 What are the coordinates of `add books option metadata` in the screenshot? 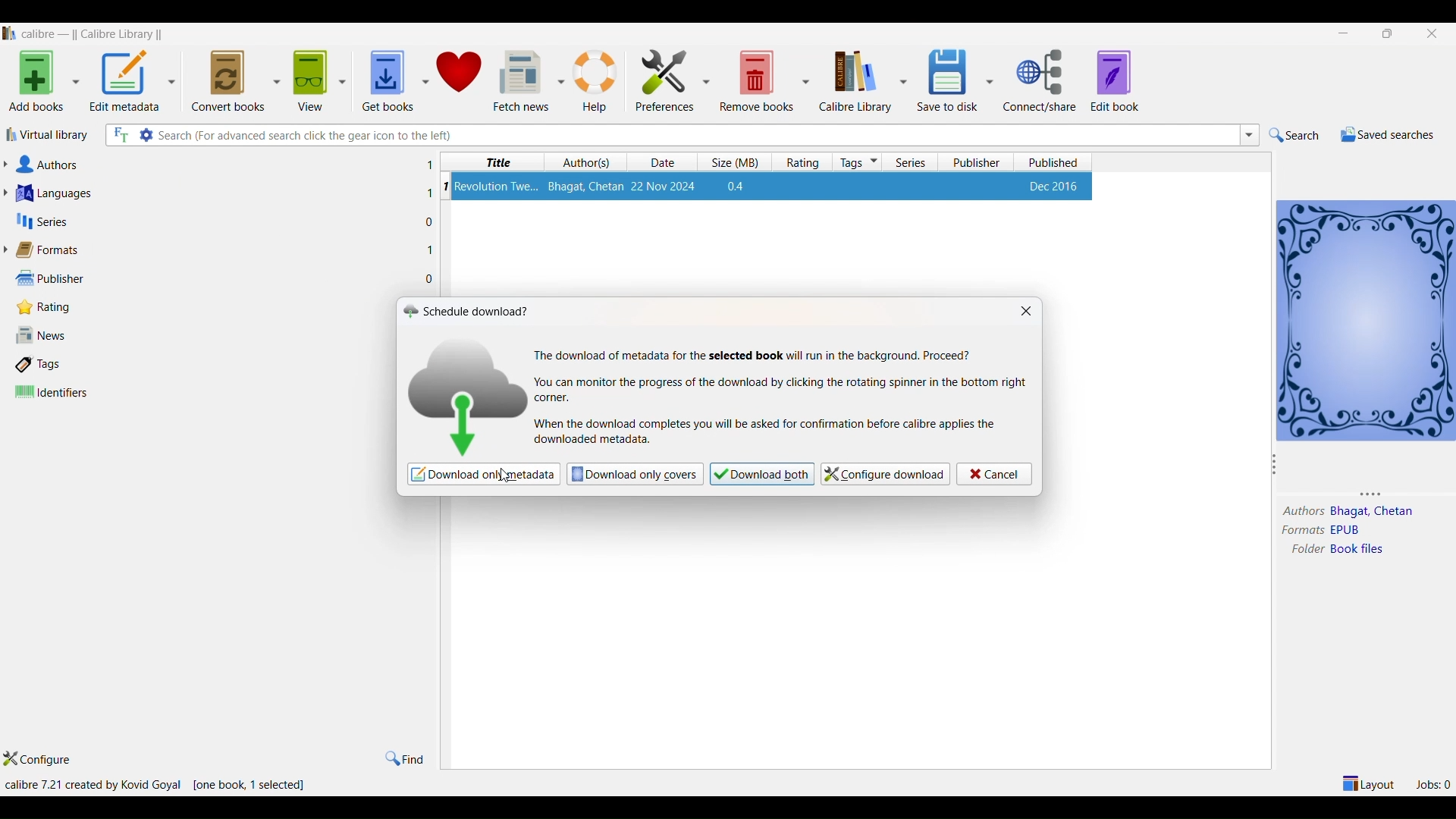 It's located at (78, 81).